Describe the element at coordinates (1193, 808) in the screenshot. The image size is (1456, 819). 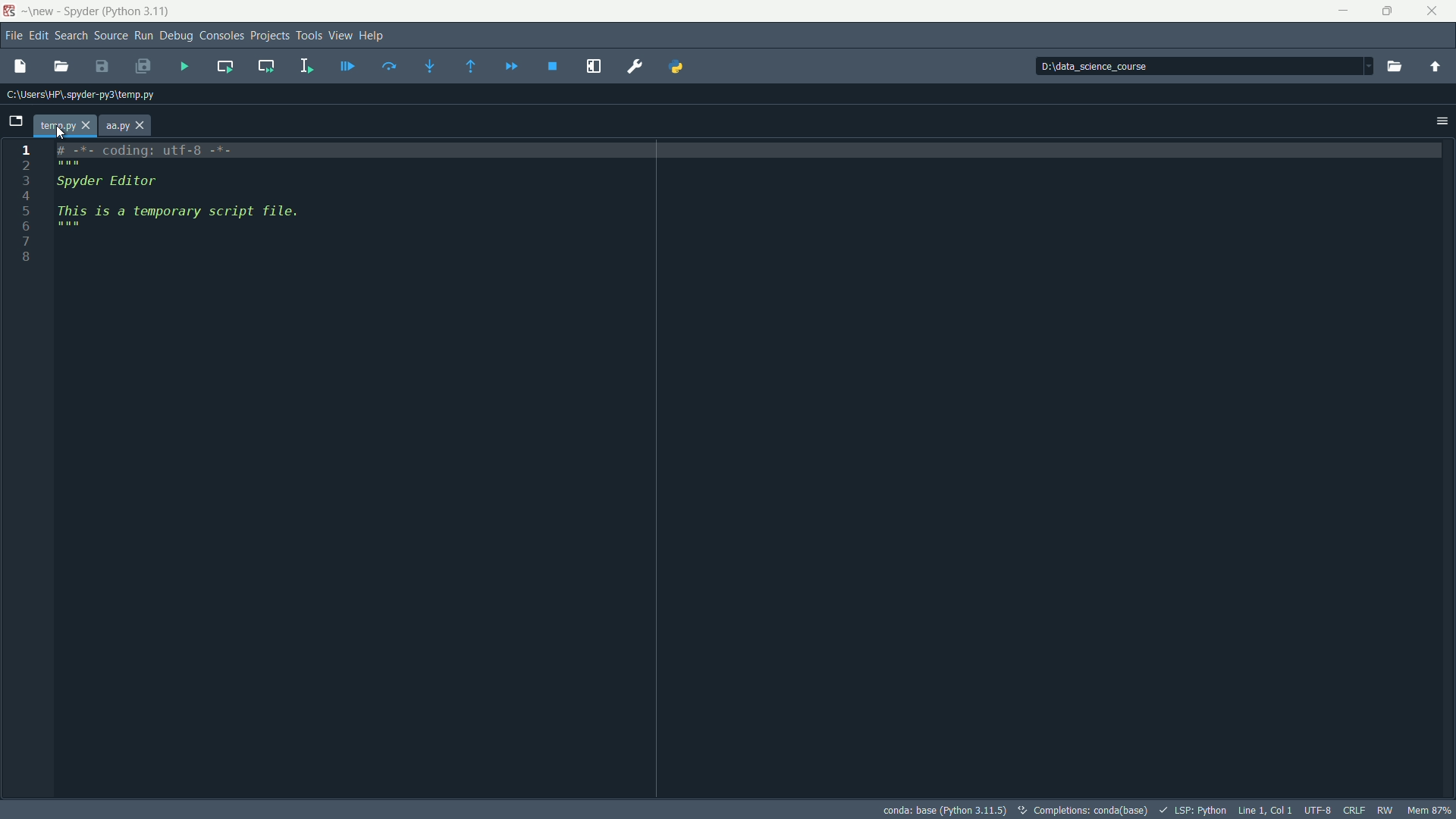
I see `lps:python` at that location.